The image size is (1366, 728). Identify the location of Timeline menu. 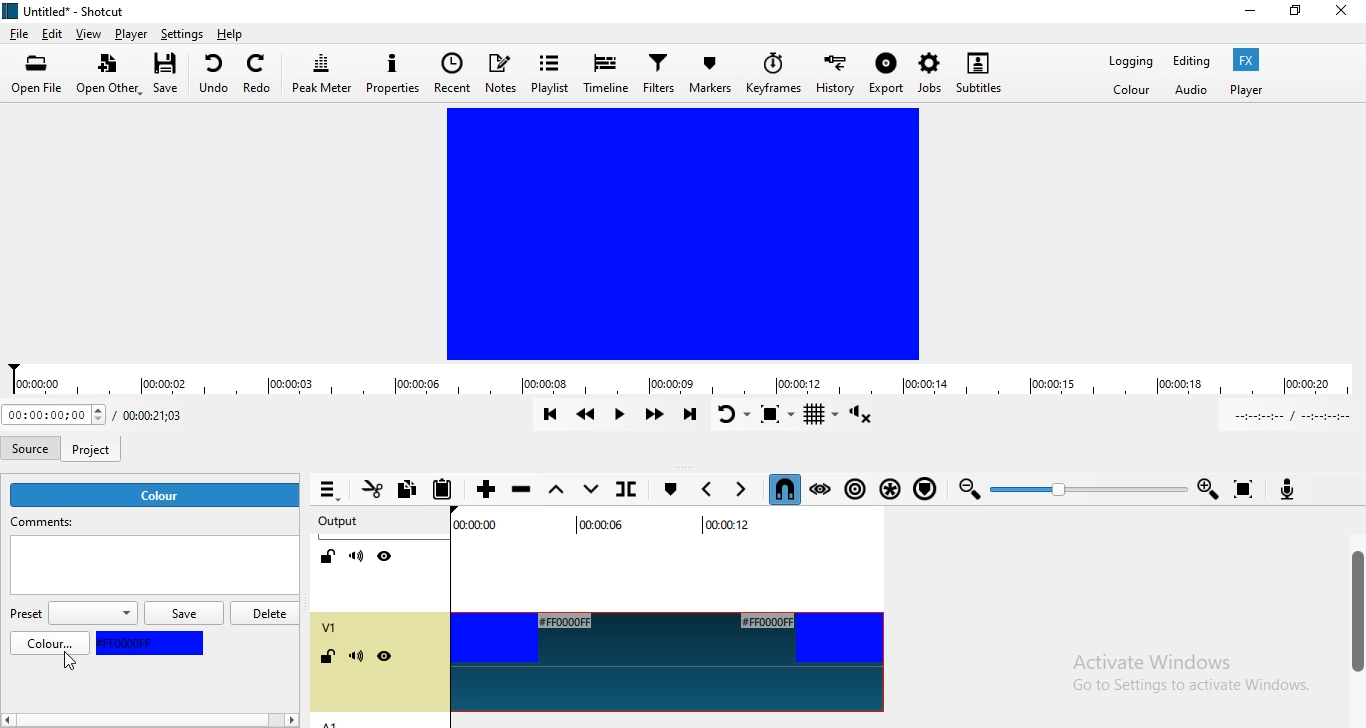
(329, 491).